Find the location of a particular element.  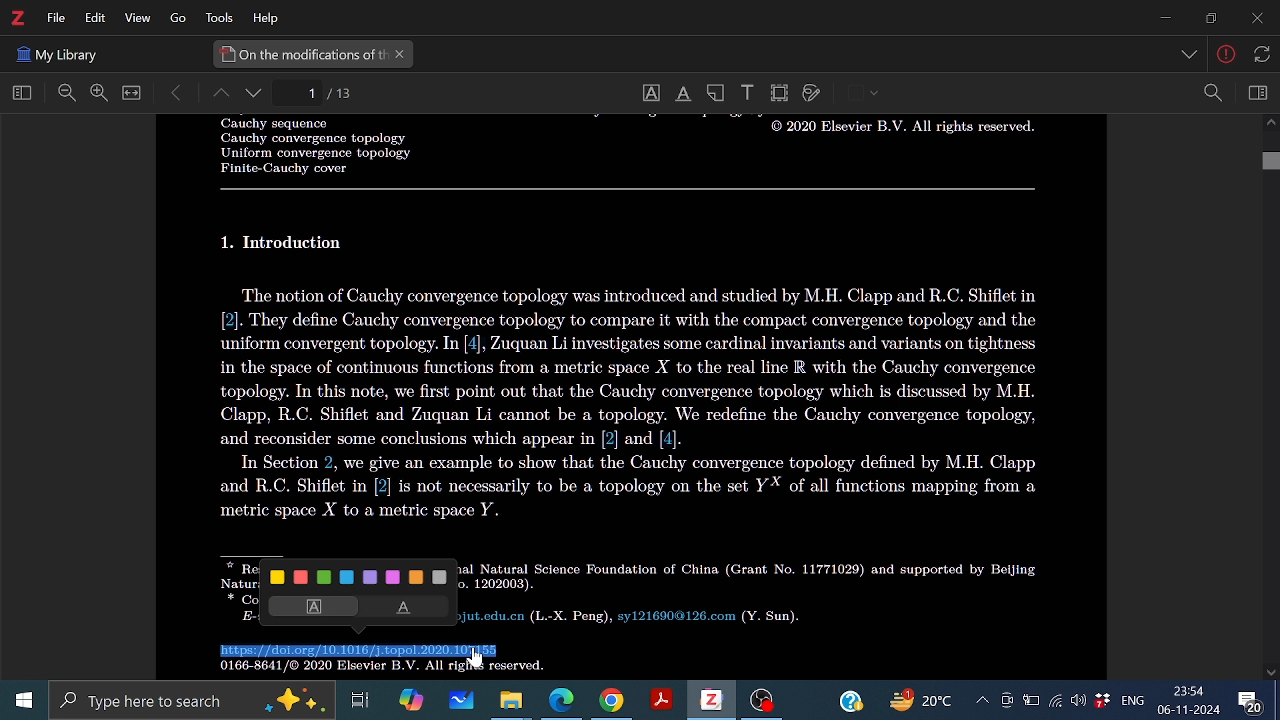

 is located at coordinates (629, 189).